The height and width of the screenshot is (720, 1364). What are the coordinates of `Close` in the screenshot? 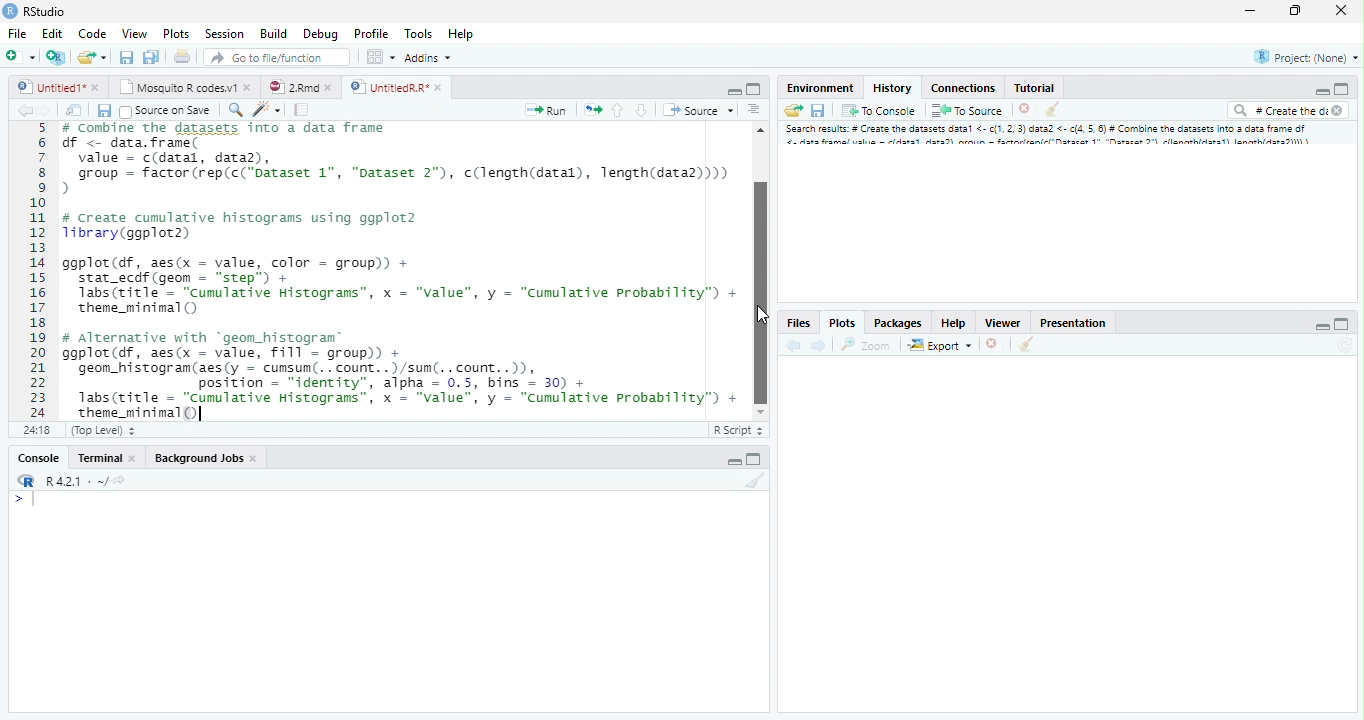 It's located at (1339, 10).